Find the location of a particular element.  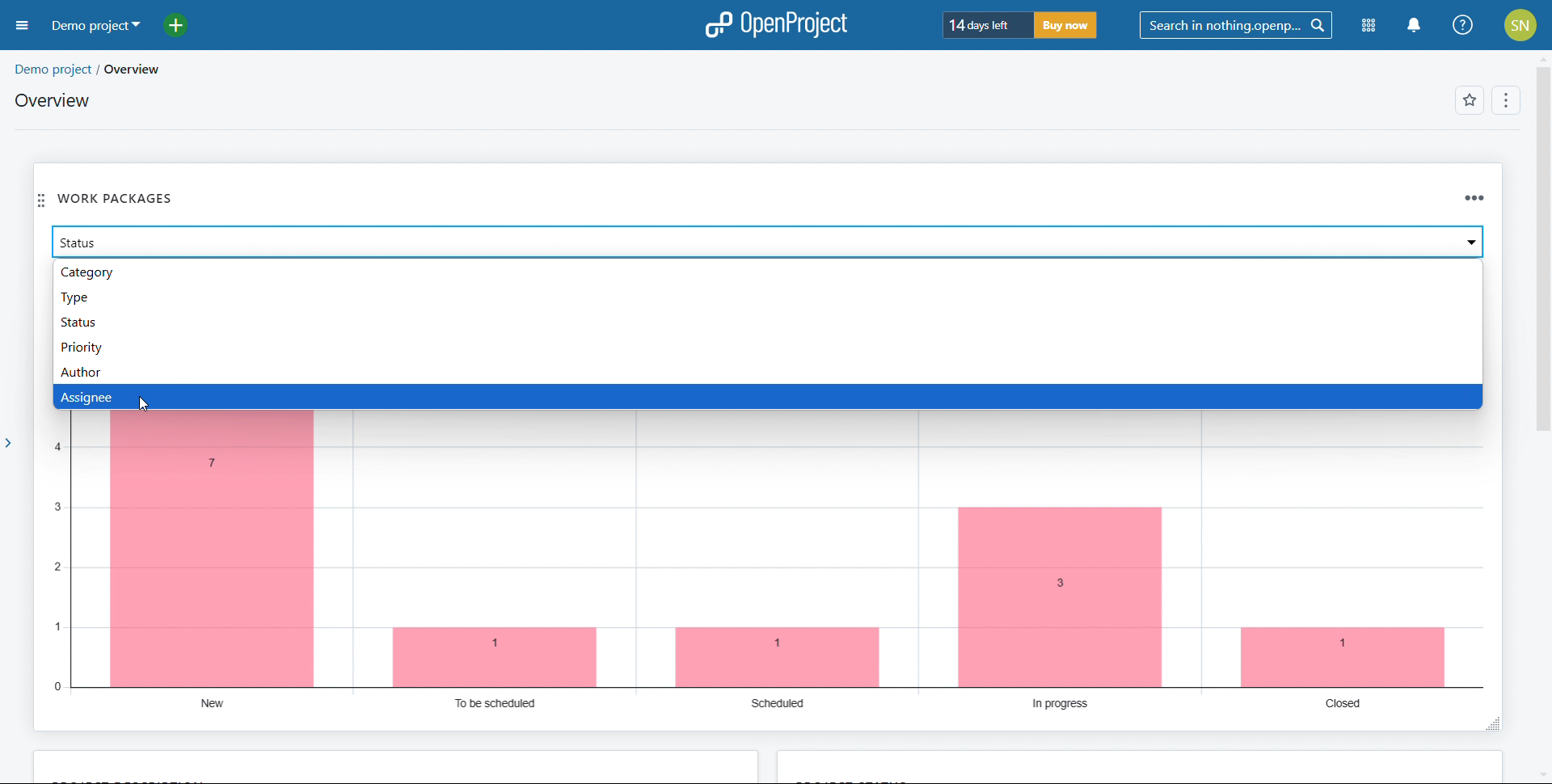

options is located at coordinates (1474, 199).